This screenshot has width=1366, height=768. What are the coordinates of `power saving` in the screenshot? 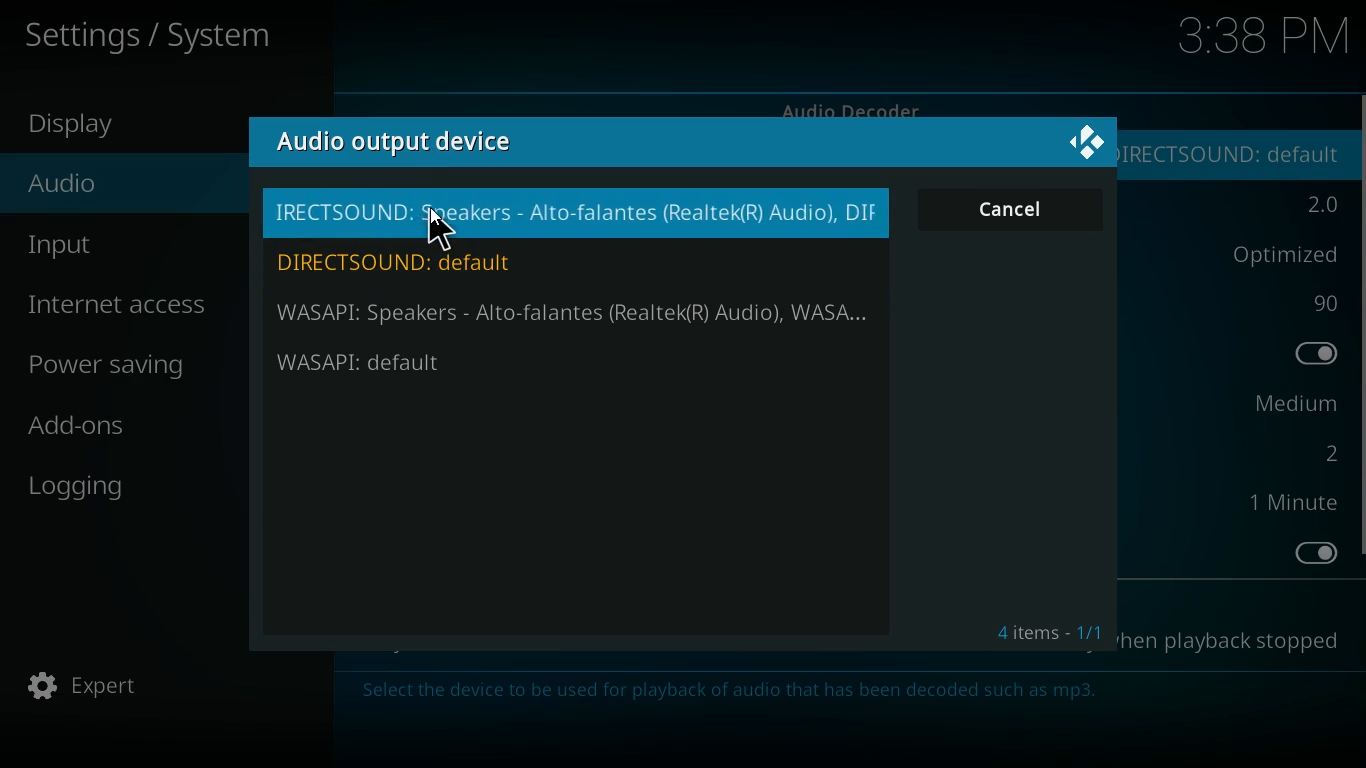 It's located at (110, 368).